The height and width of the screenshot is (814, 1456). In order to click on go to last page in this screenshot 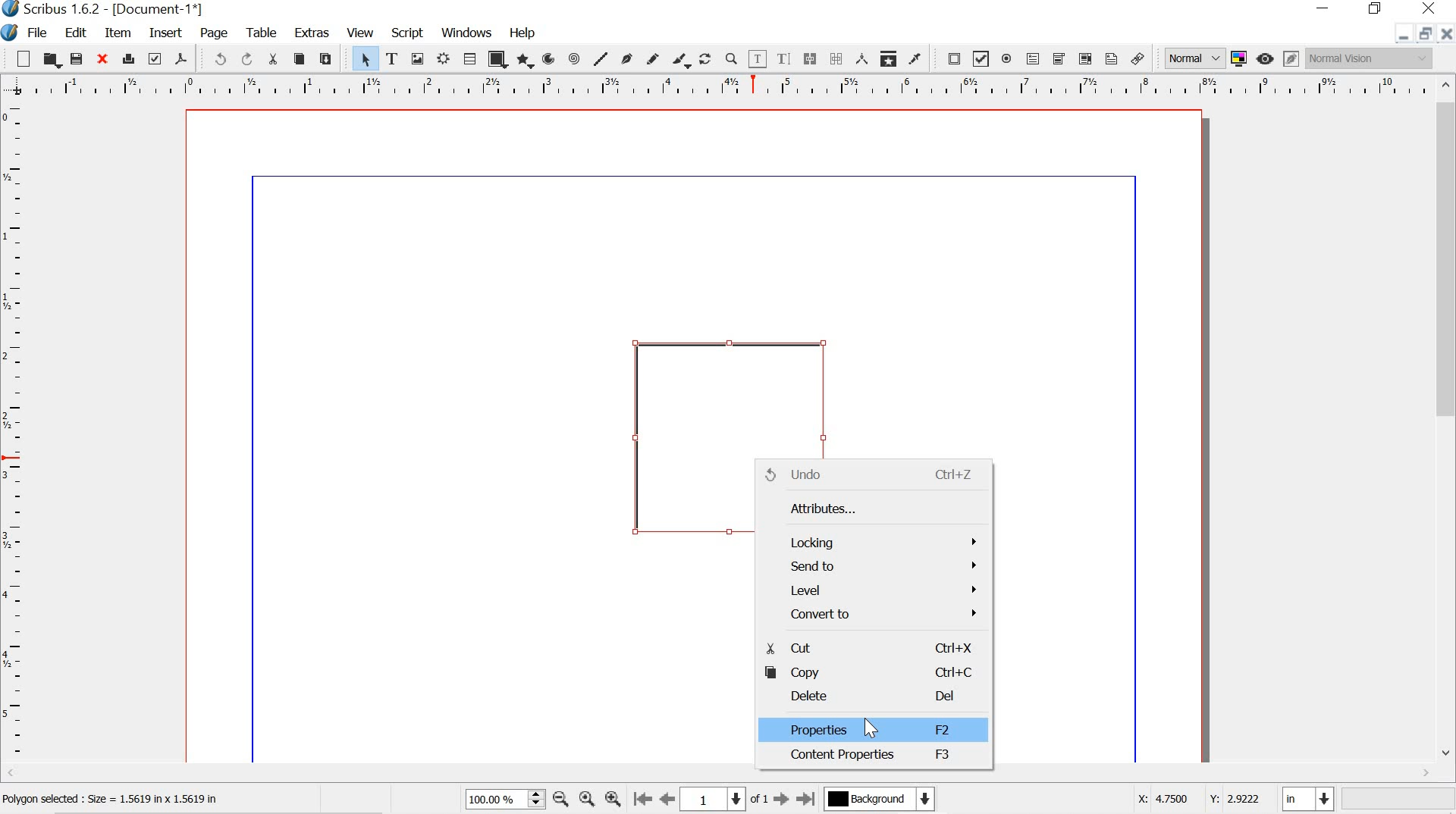, I will do `click(806, 800)`.